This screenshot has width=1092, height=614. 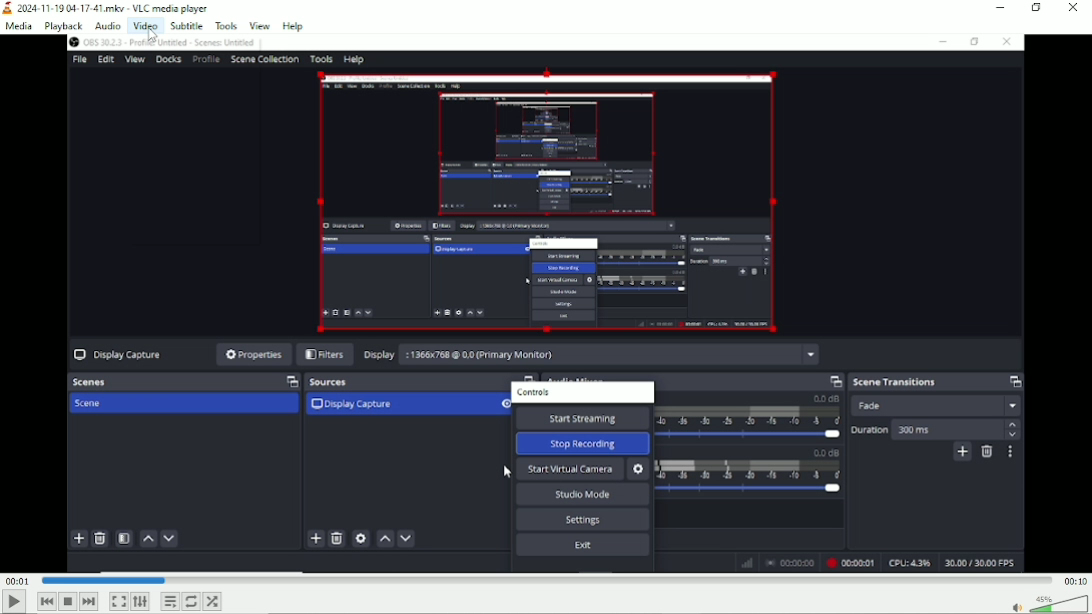 I want to click on Total duration, so click(x=1074, y=580).